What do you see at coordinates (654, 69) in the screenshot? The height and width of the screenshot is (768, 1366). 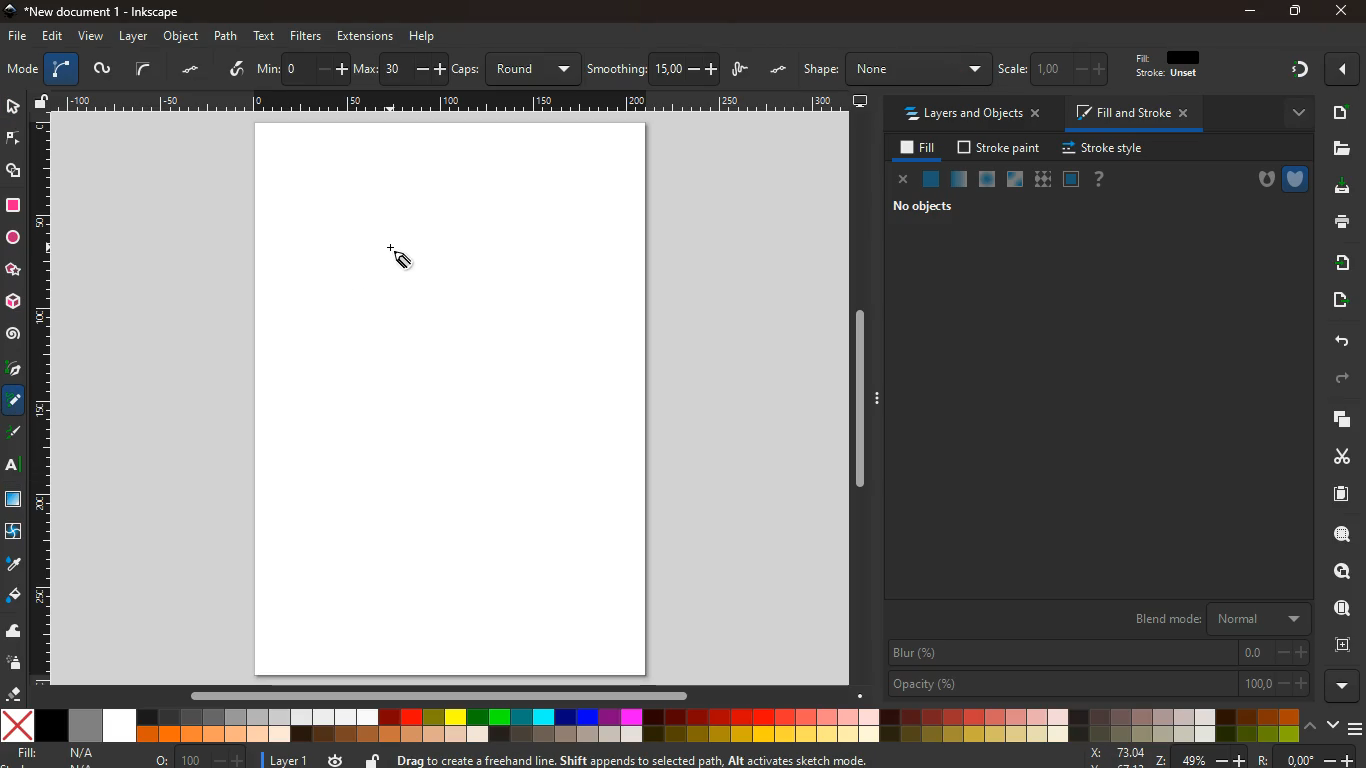 I see `smoothing` at bounding box center [654, 69].